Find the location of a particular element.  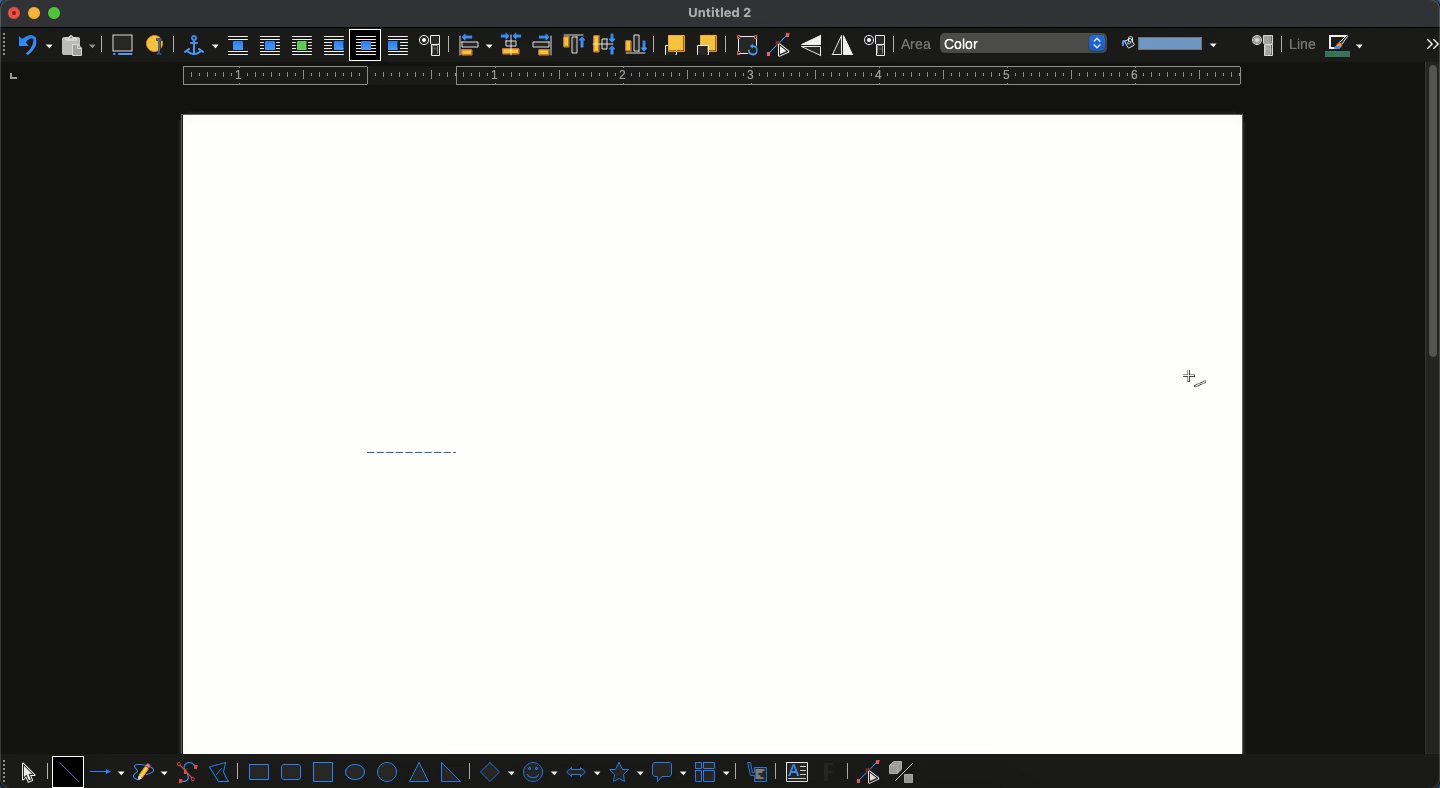

rectangle is located at coordinates (259, 772).